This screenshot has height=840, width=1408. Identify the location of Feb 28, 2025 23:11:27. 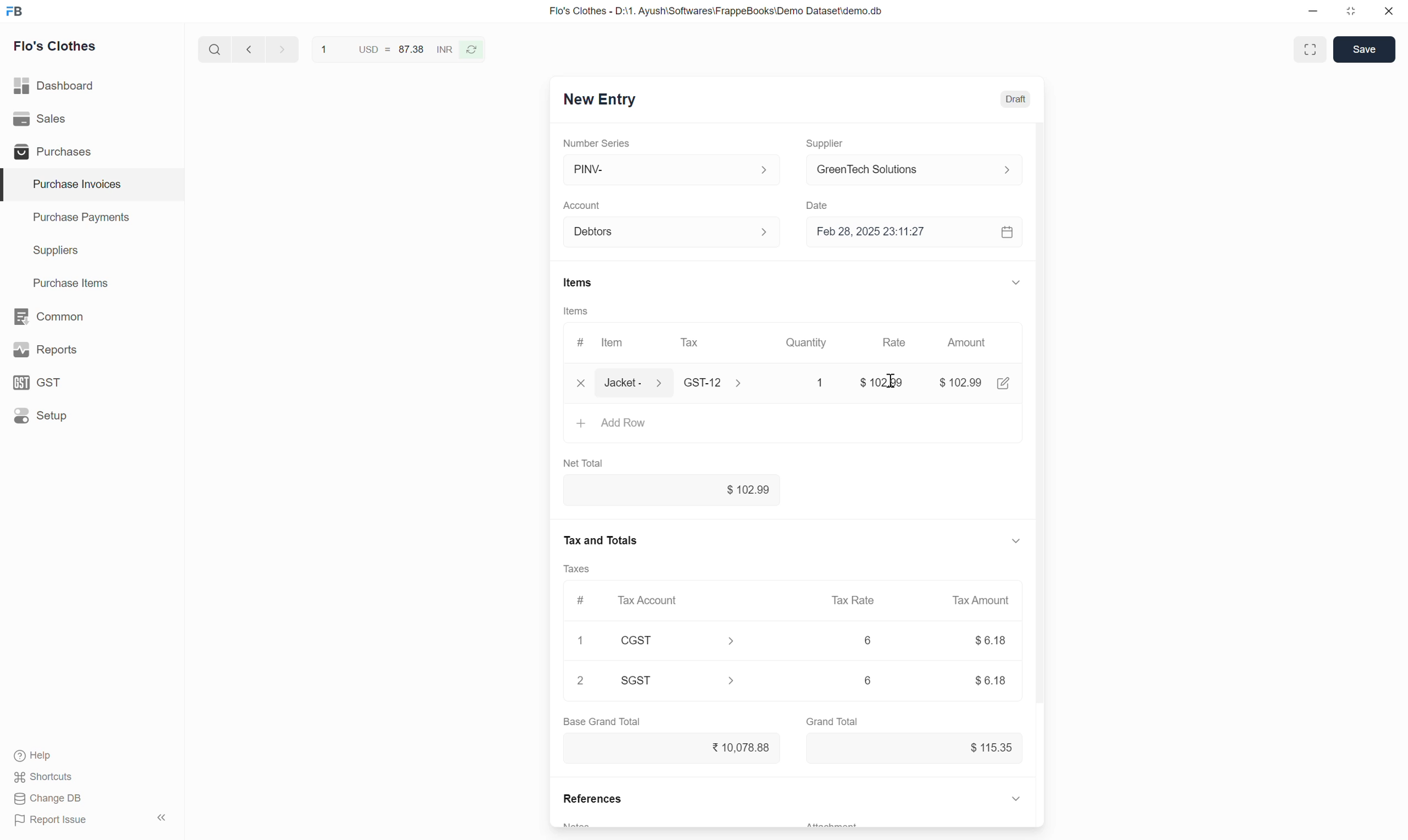
(902, 232).